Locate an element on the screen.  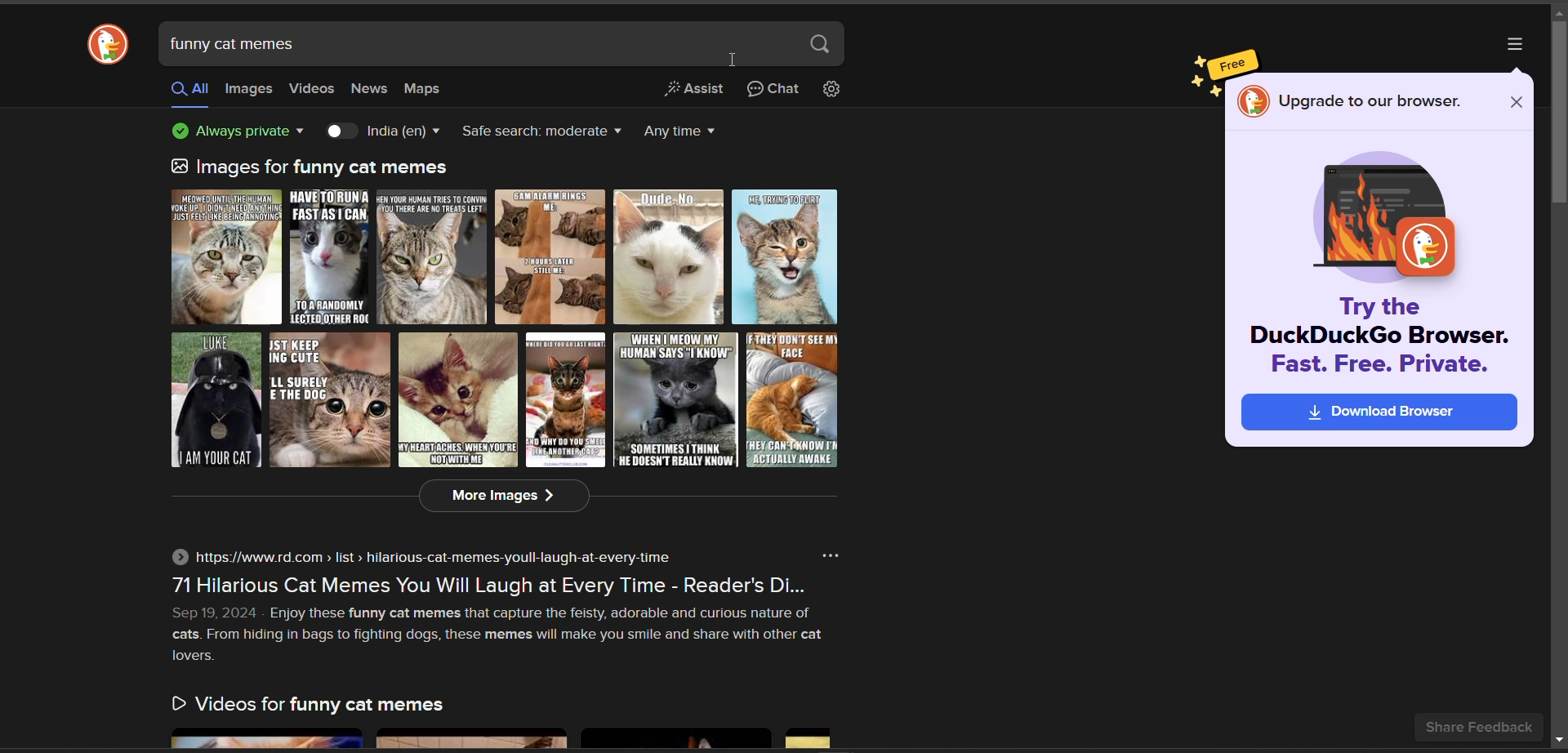
privacy protection badge is located at coordinates (243, 132).